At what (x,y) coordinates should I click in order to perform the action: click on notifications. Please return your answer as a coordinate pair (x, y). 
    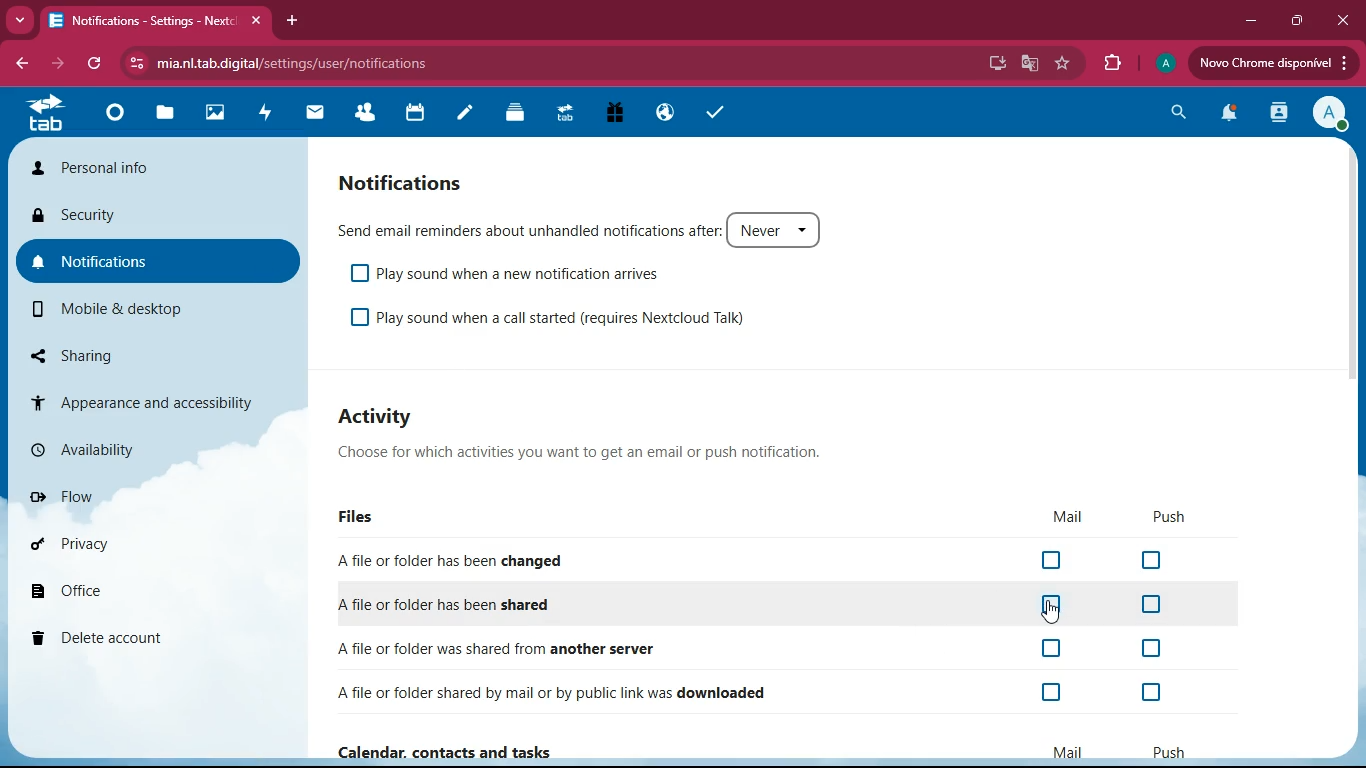
    Looking at the image, I should click on (162, 259).